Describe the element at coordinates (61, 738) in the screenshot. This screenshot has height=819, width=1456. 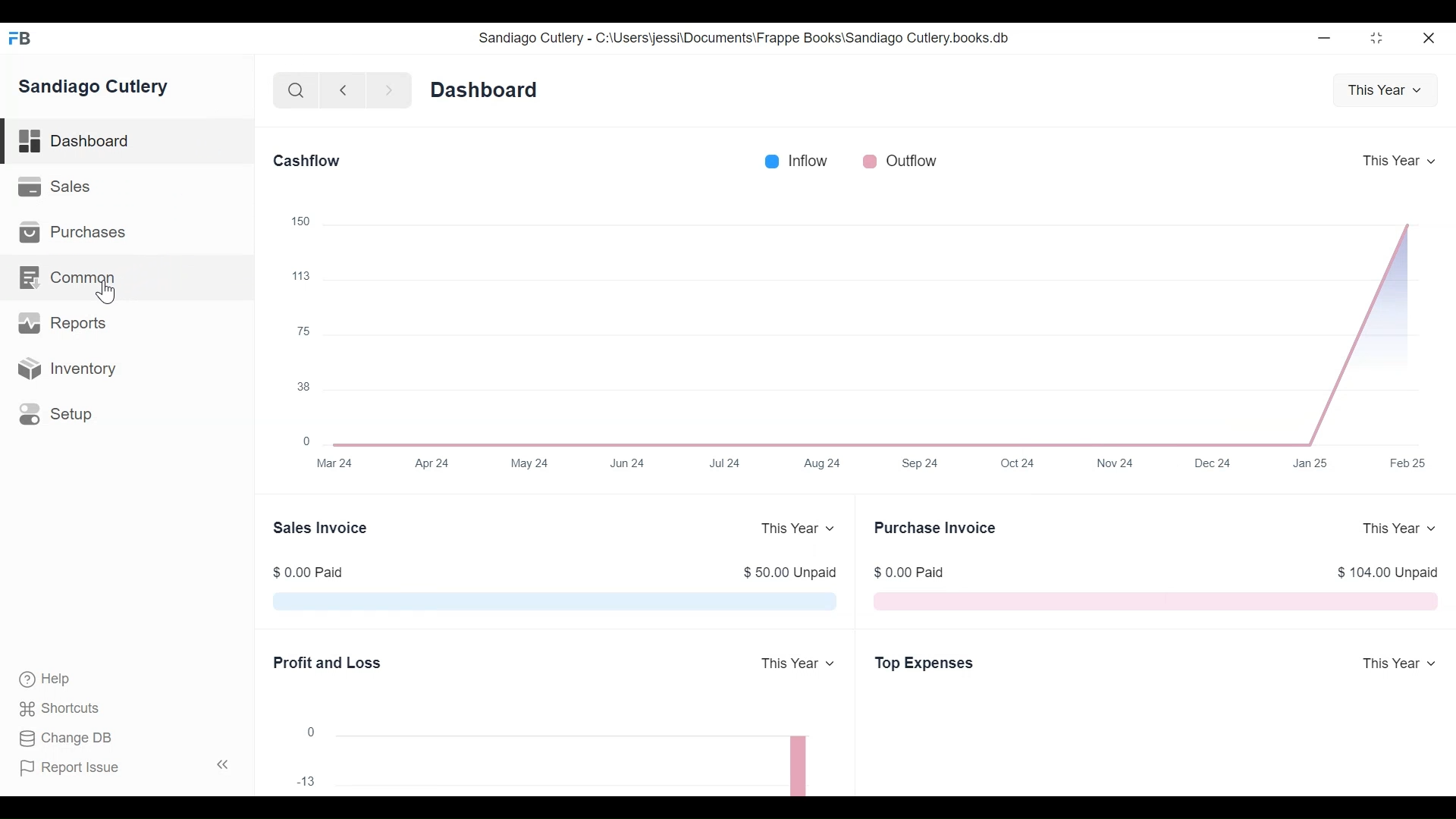
I see `Change DB` at that location.